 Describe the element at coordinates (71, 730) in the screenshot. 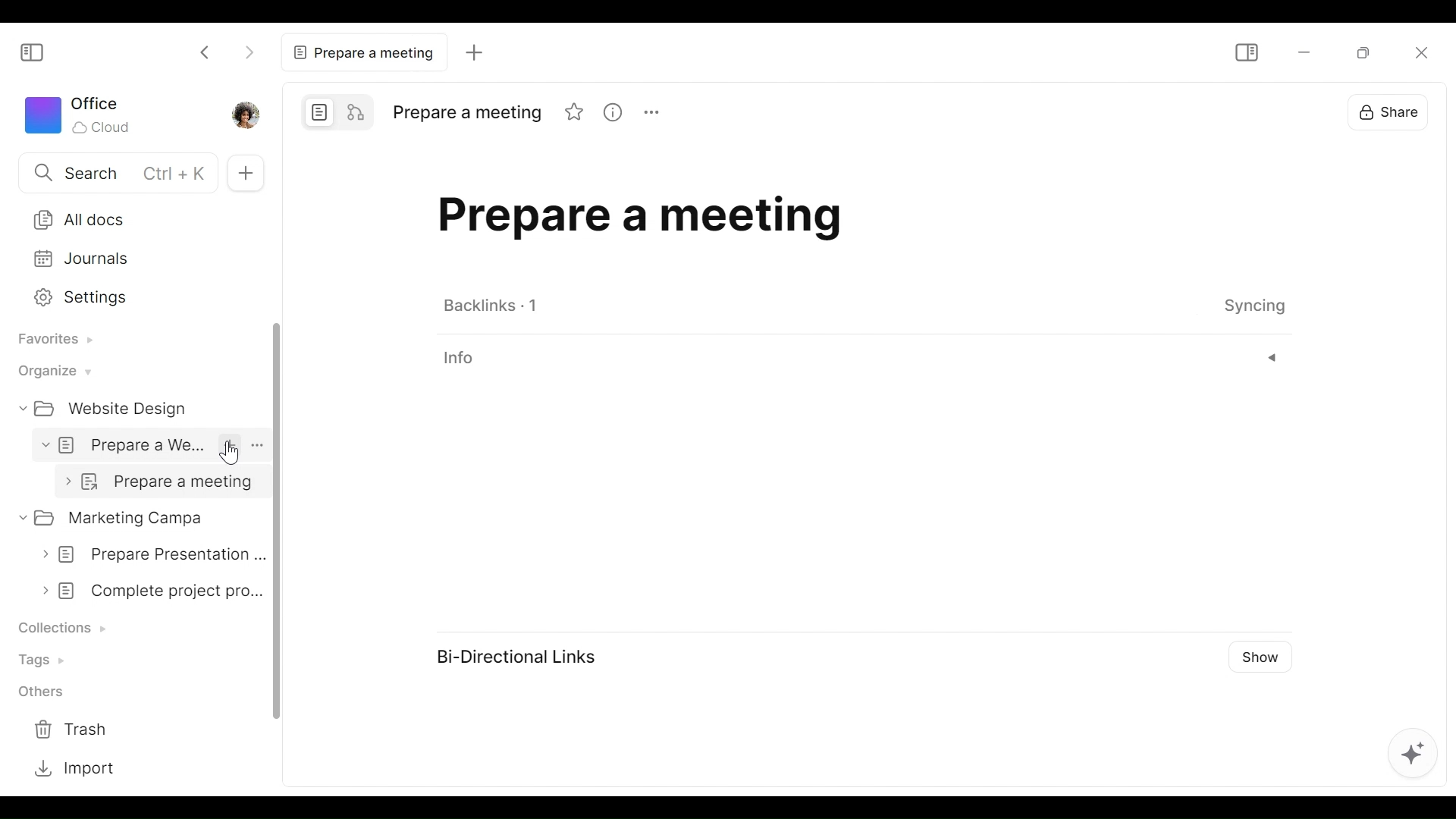

I see `Trash` at that location.